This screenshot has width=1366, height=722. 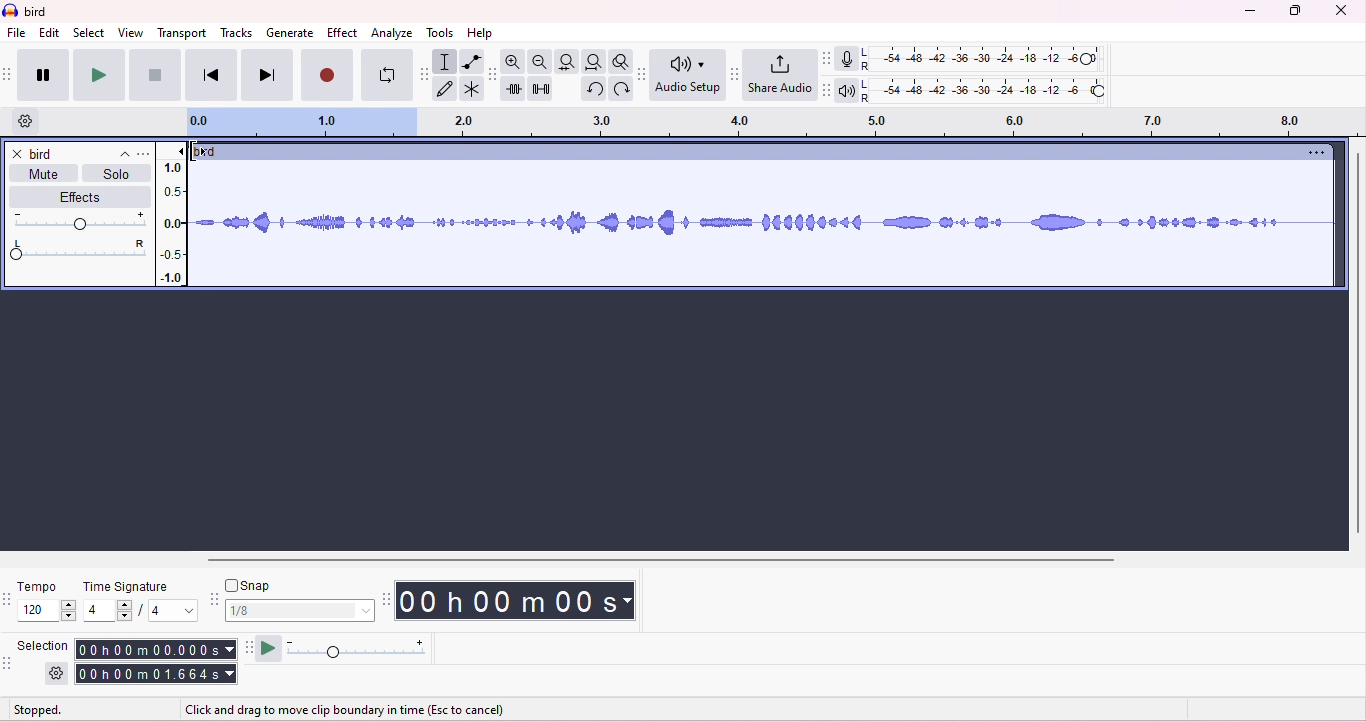 What do you see at coordinates (823, 91) in the screenshot?
I see `playback meter tool bar` at bounding box center [823, 91].